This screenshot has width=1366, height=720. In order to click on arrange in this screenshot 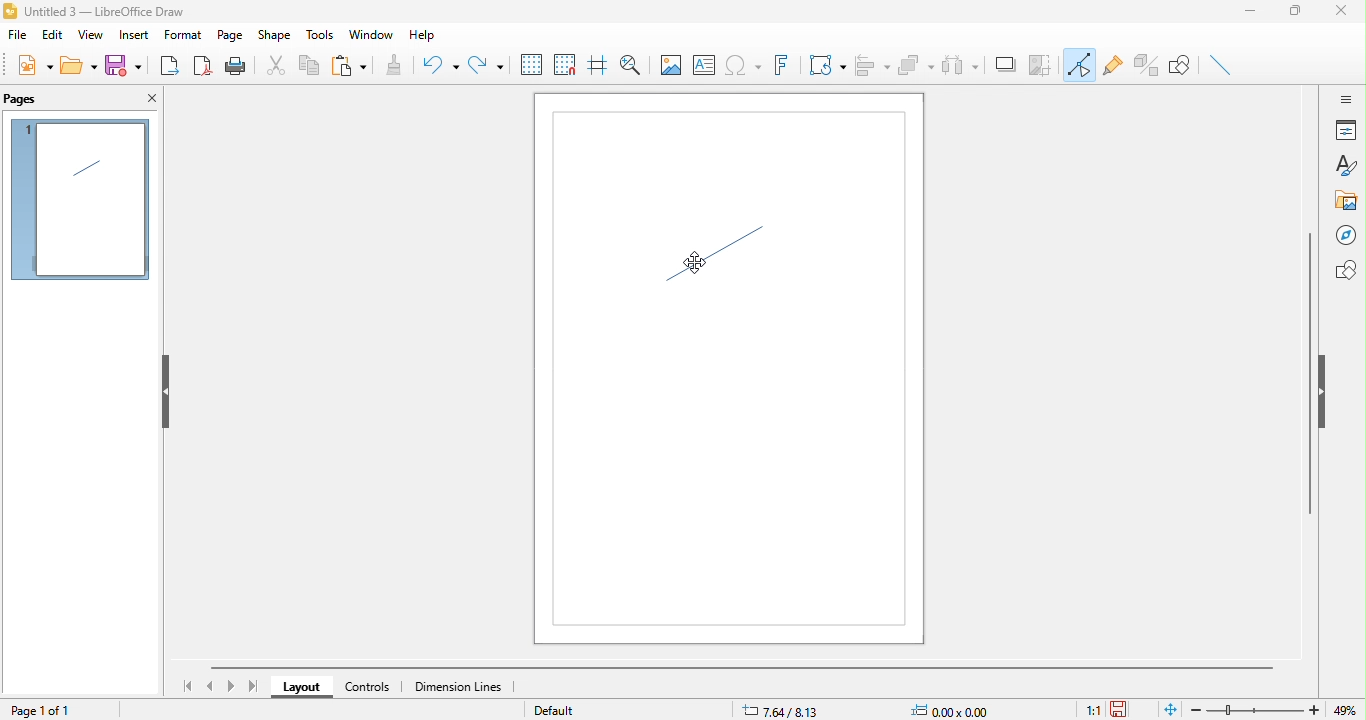, I will do `click(916, 66)`.